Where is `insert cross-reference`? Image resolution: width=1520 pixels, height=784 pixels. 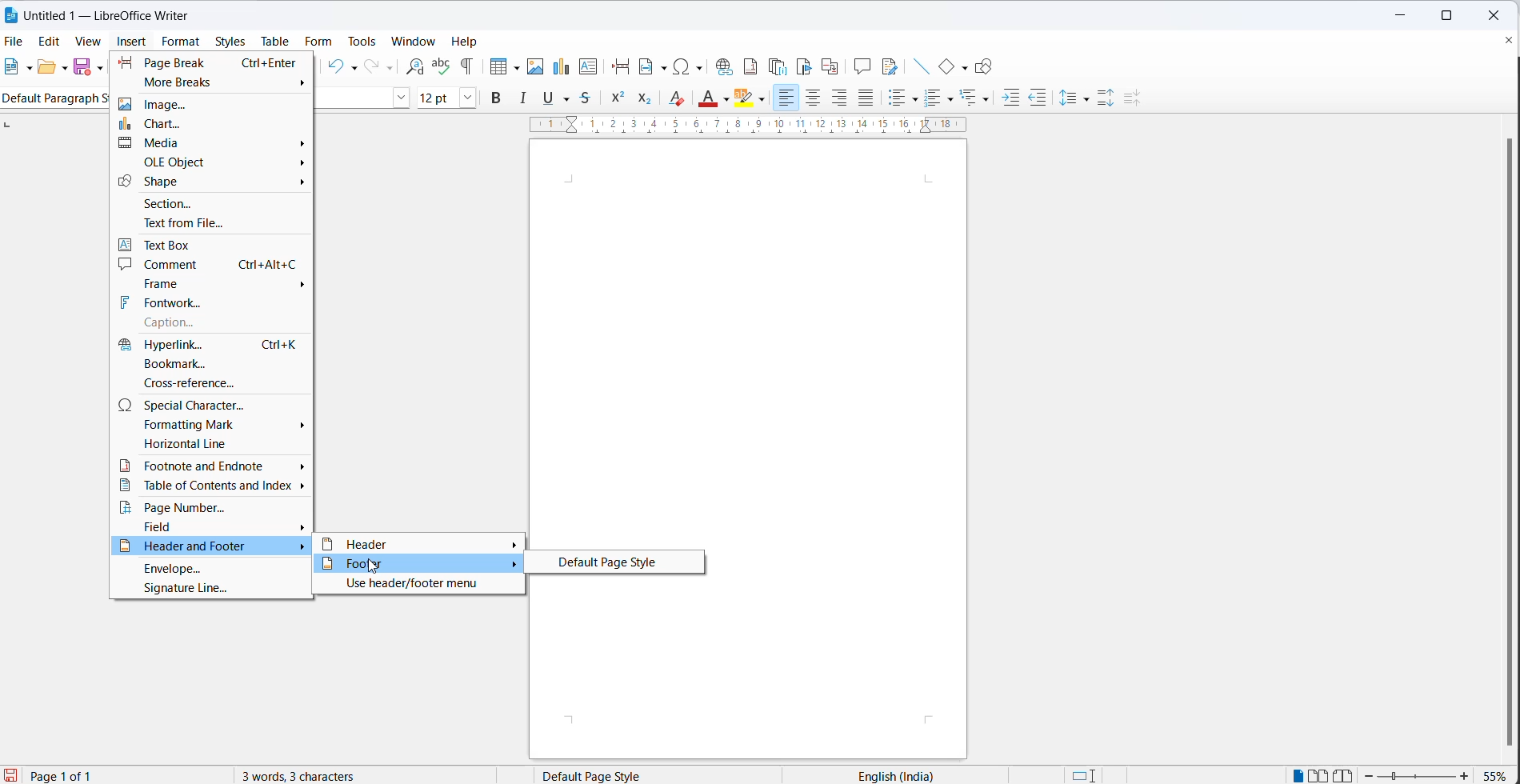
insert cross-reference is located at coordinates (831, 68).